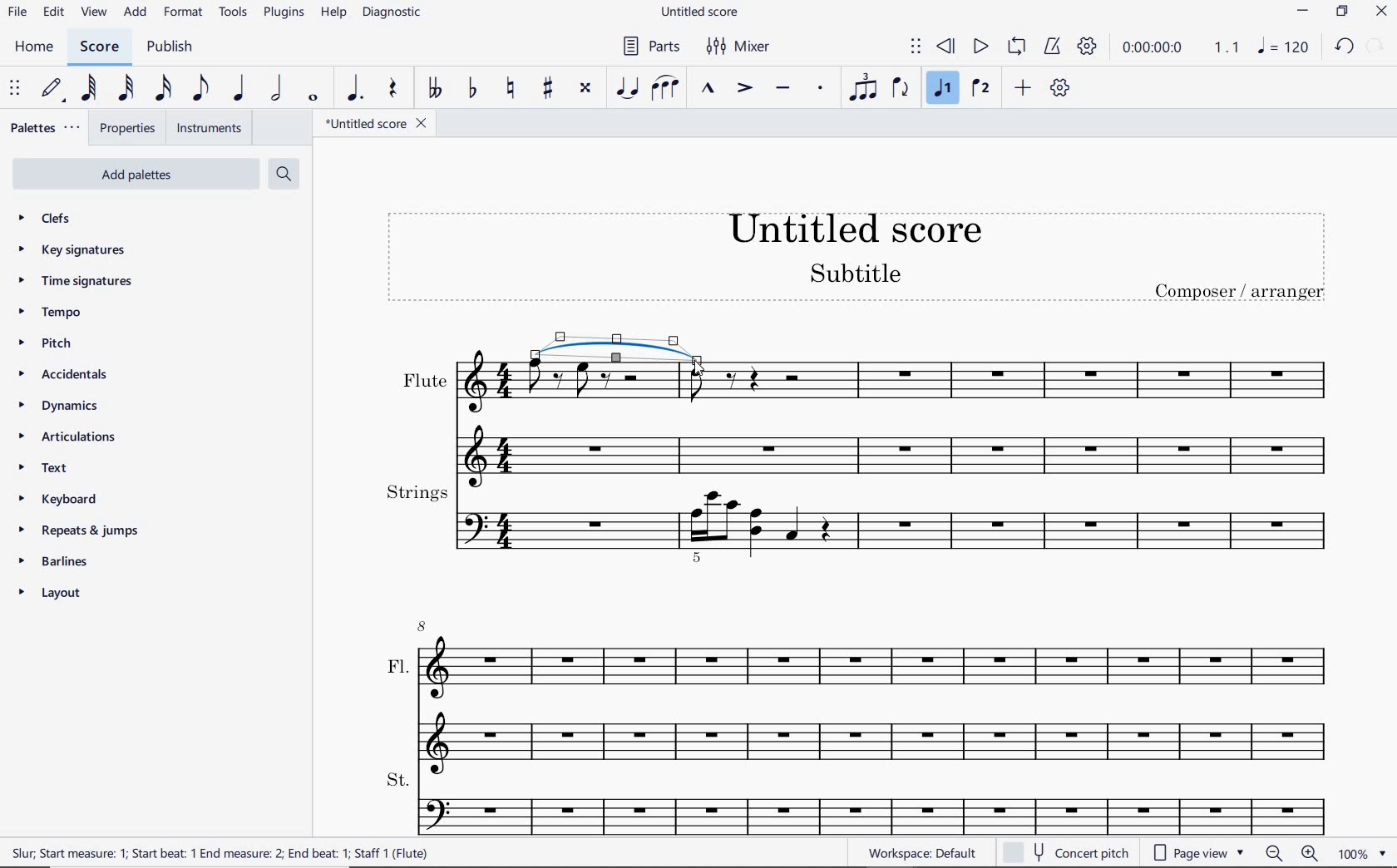  Describe the element at coordinates (106, 46) in the screenshot. I see `SCORE` at that location.